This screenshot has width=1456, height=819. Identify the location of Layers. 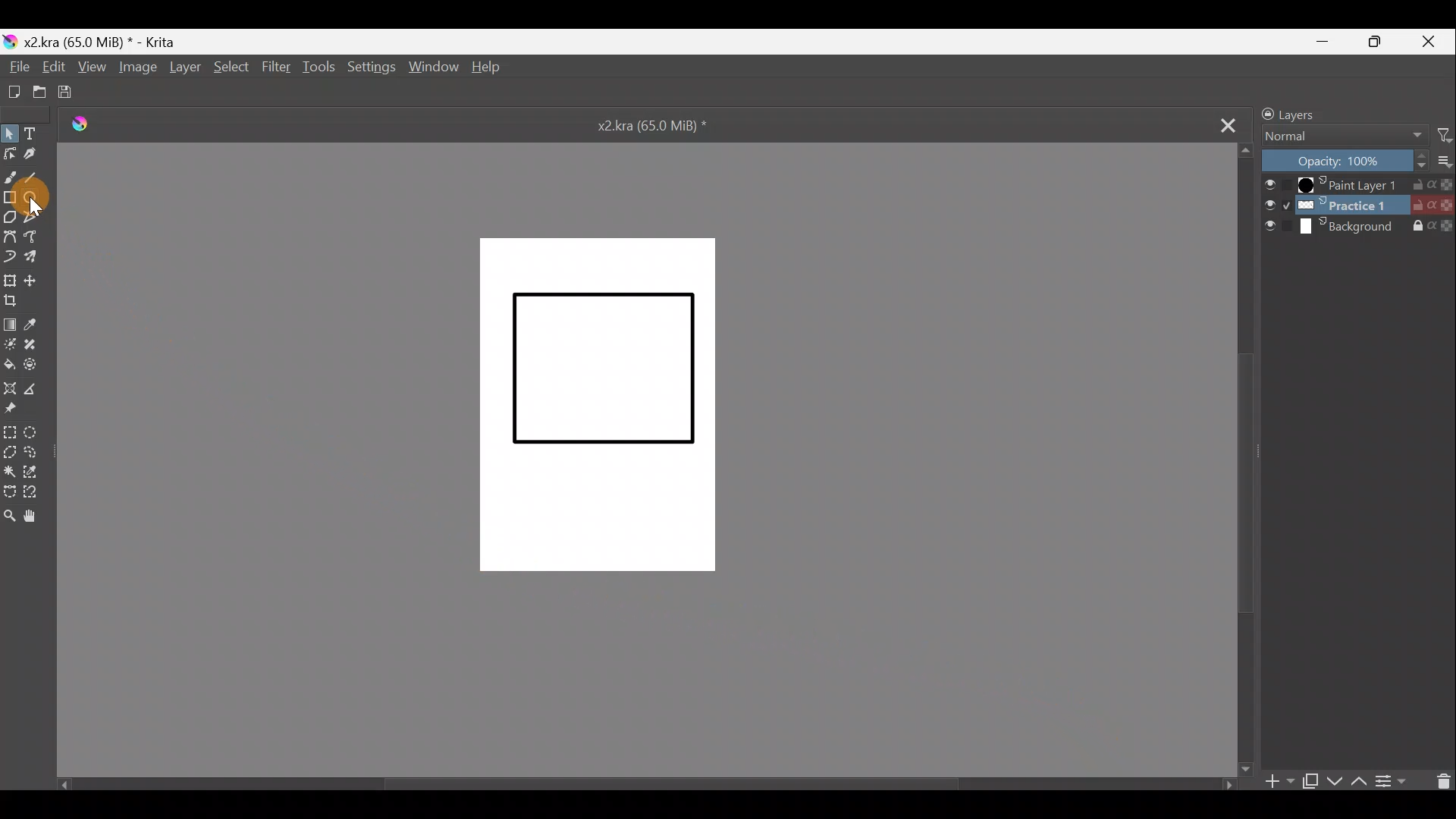
(1304, 113).